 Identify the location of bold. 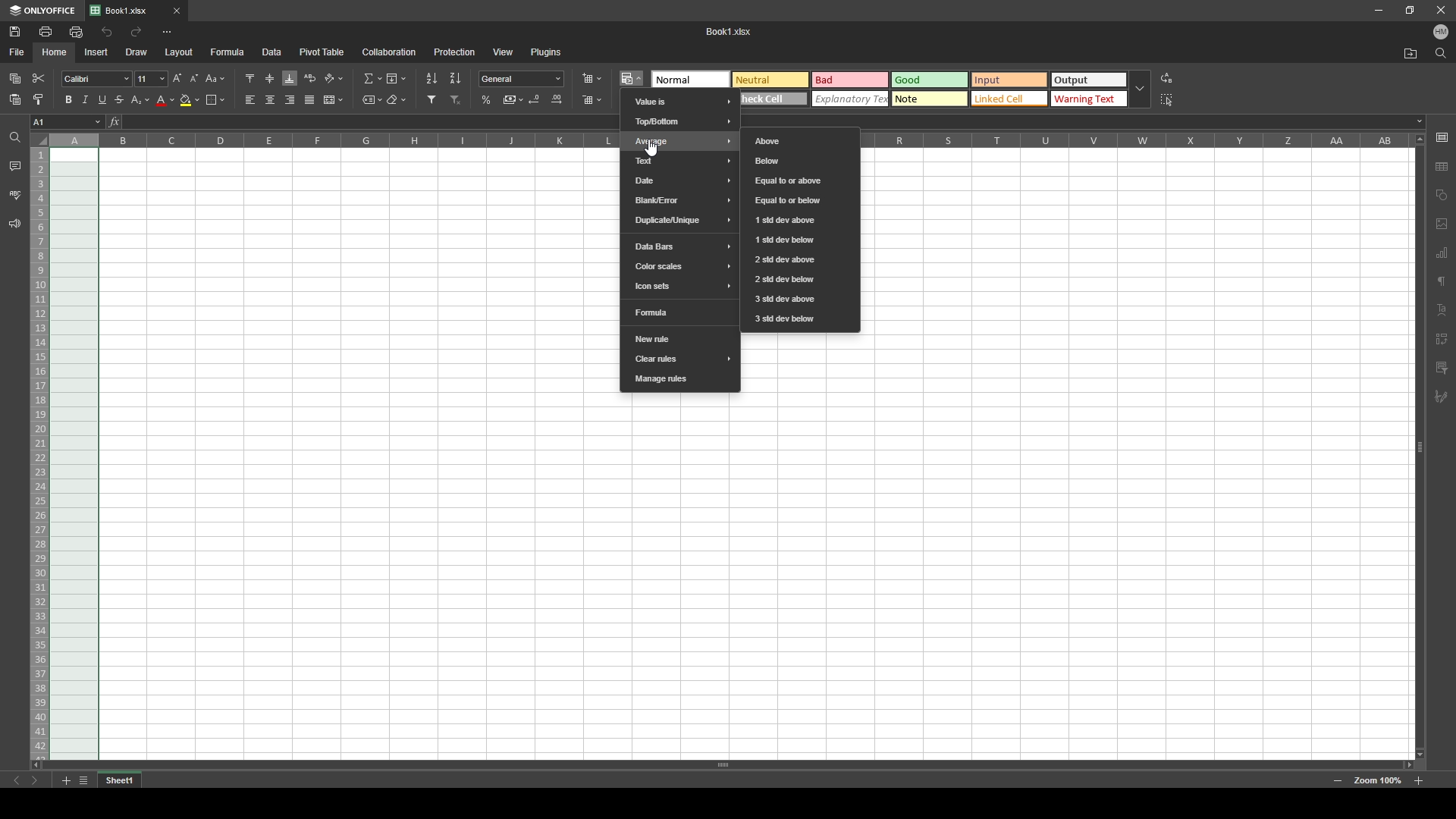
(68, 99).